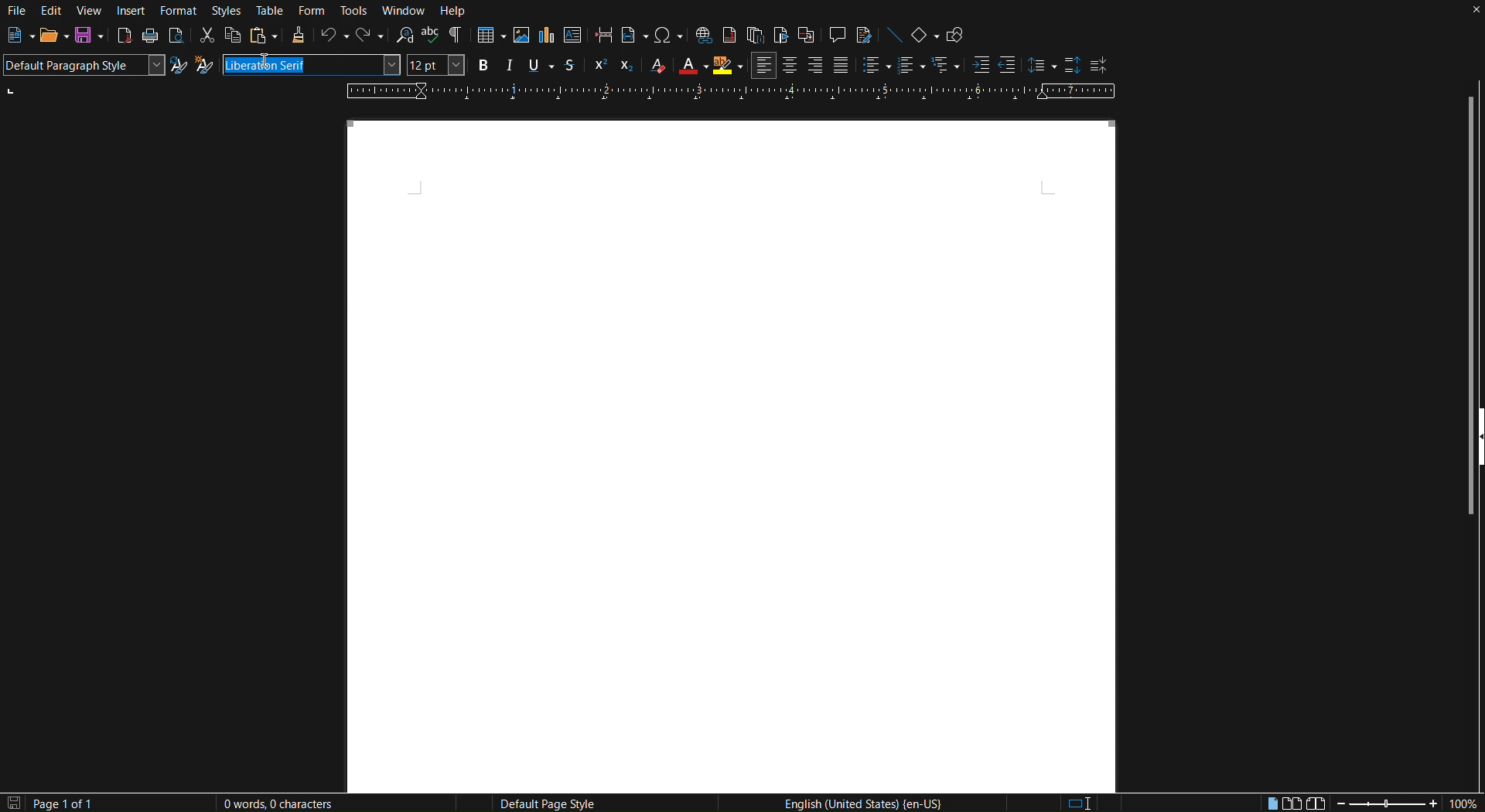  Describe the element at coordinates (573, 35) in the screenshot. I see `Insert textbox` at that location.